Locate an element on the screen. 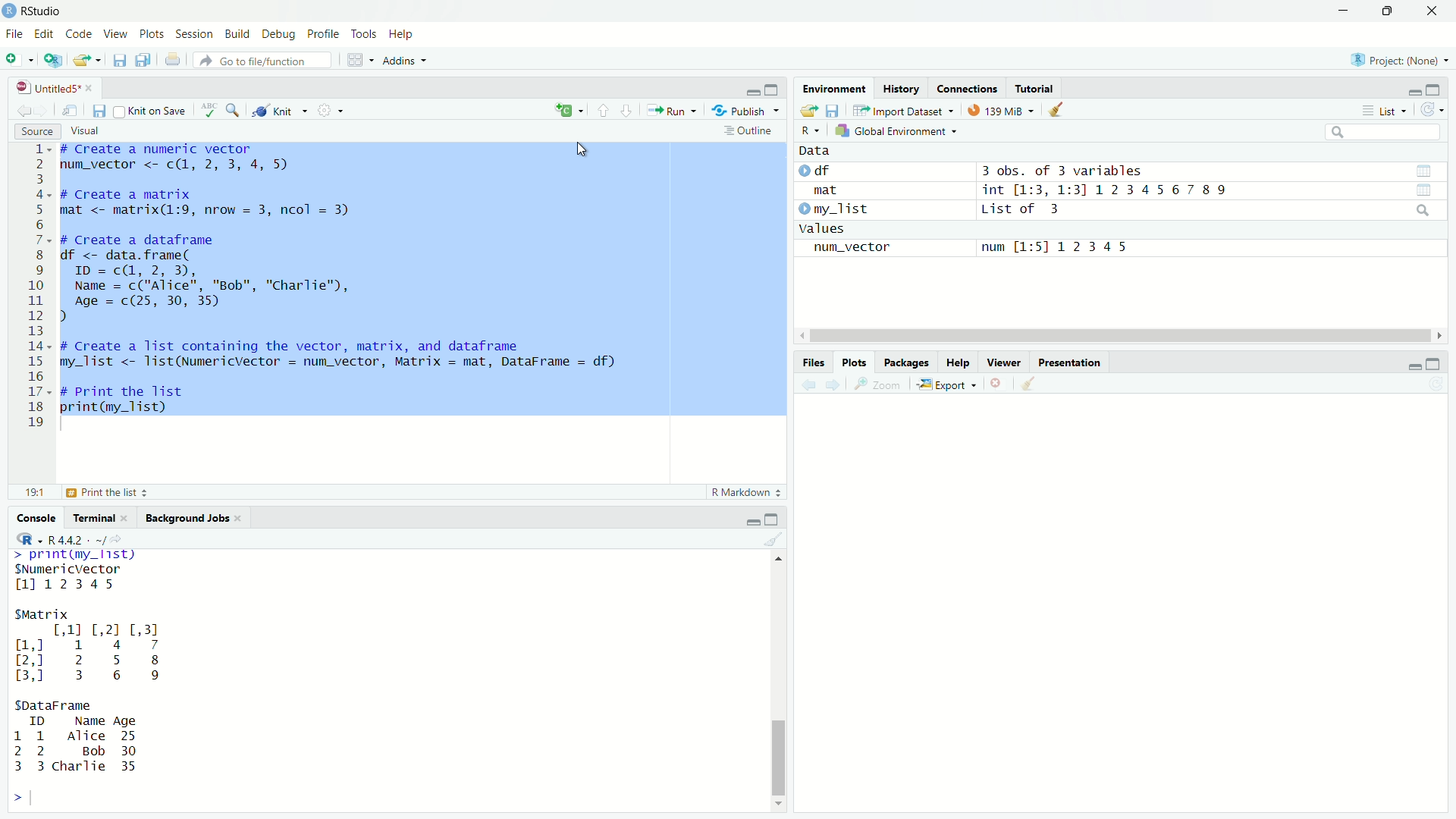  Debug is located at coordinates (279, 34).